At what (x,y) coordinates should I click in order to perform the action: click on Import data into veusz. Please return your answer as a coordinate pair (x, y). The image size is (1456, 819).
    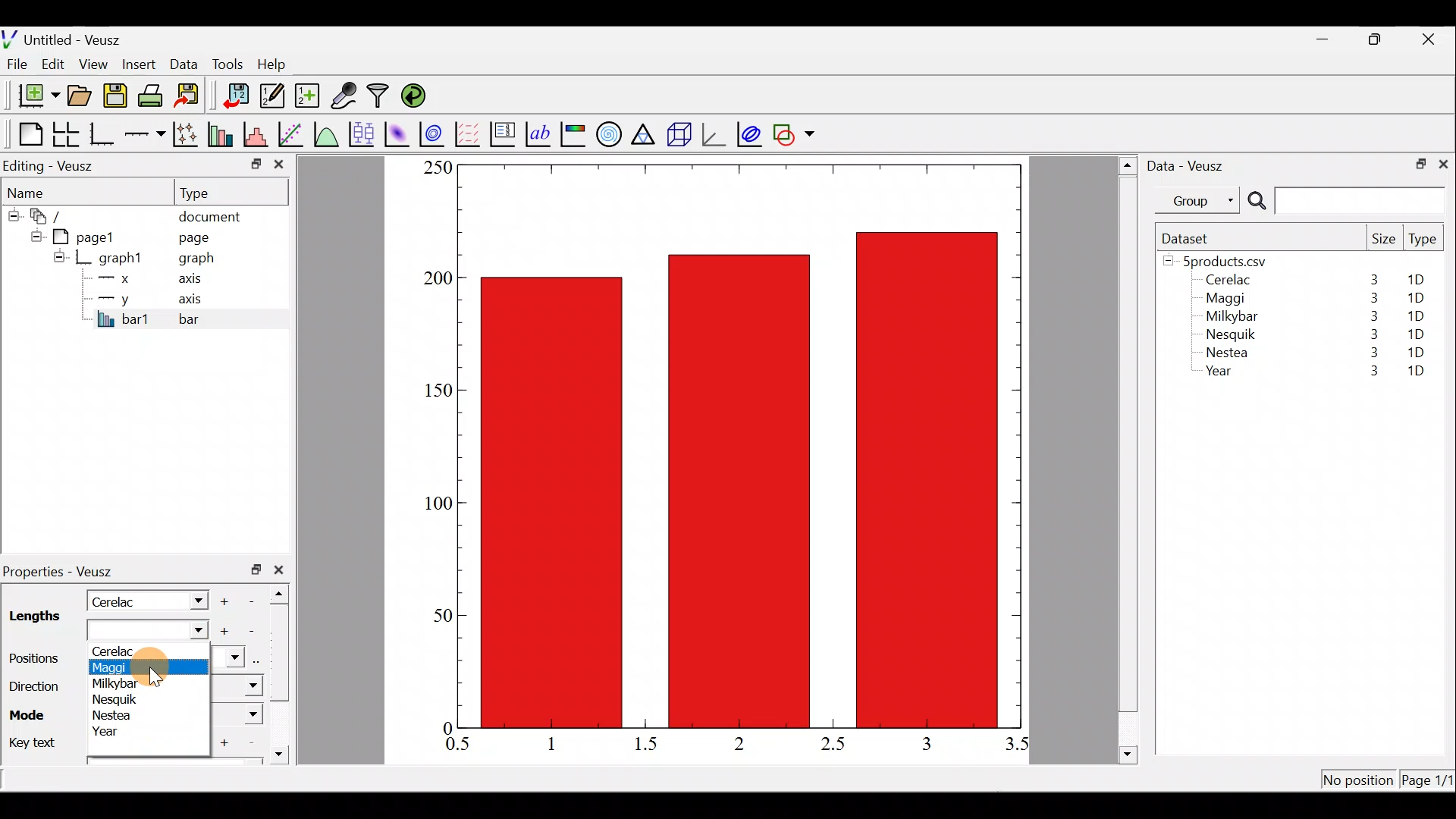
    Looking at the image, I should click on (237, 96).